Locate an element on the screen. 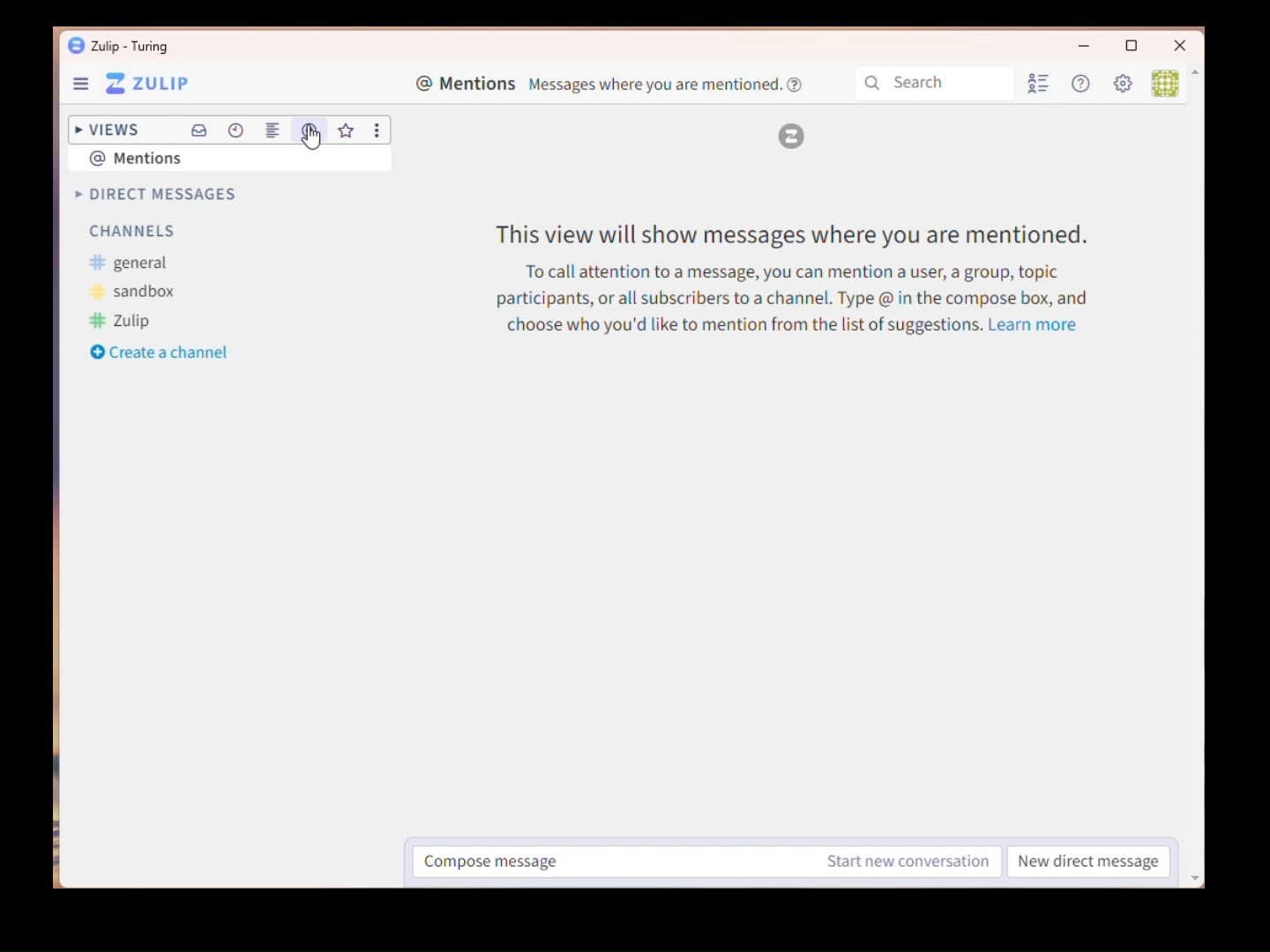 This screenshot has width=1270, height=952. Settings is located at coordinates (1125, 86).